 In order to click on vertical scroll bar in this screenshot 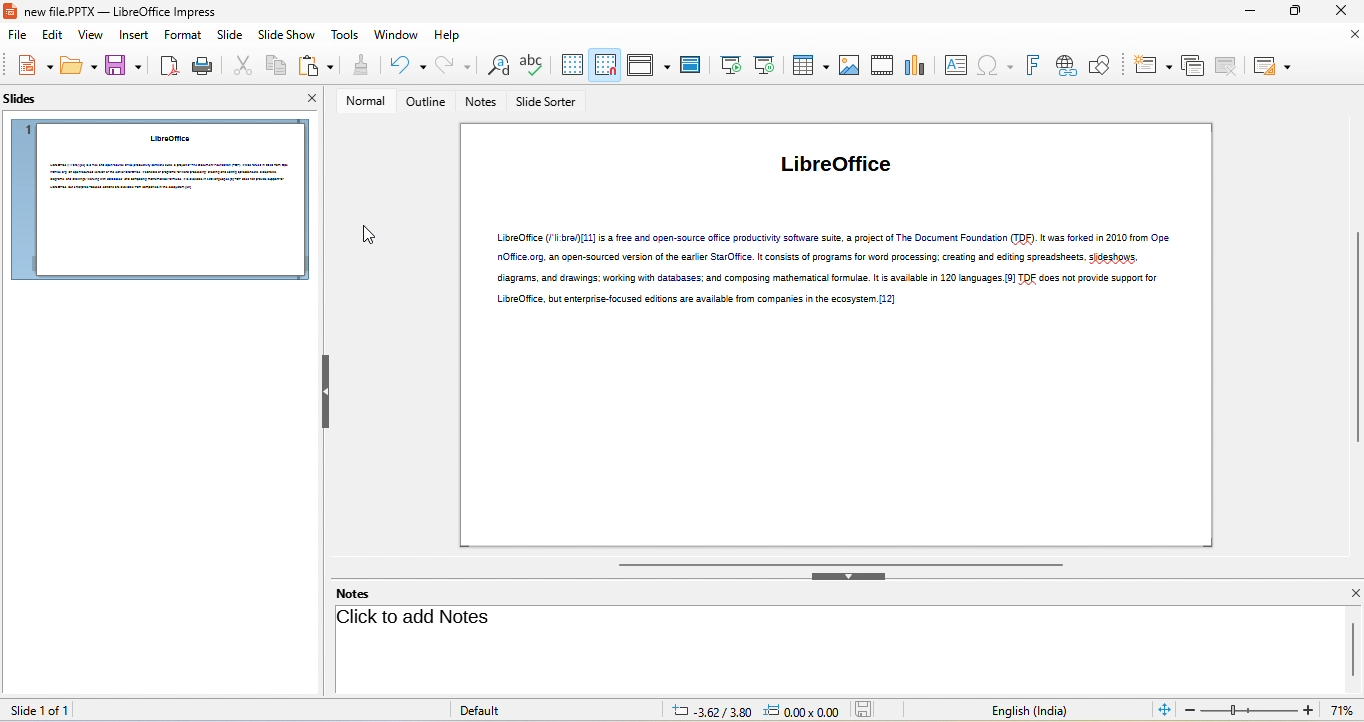, I will do `click(1355, 337)`.